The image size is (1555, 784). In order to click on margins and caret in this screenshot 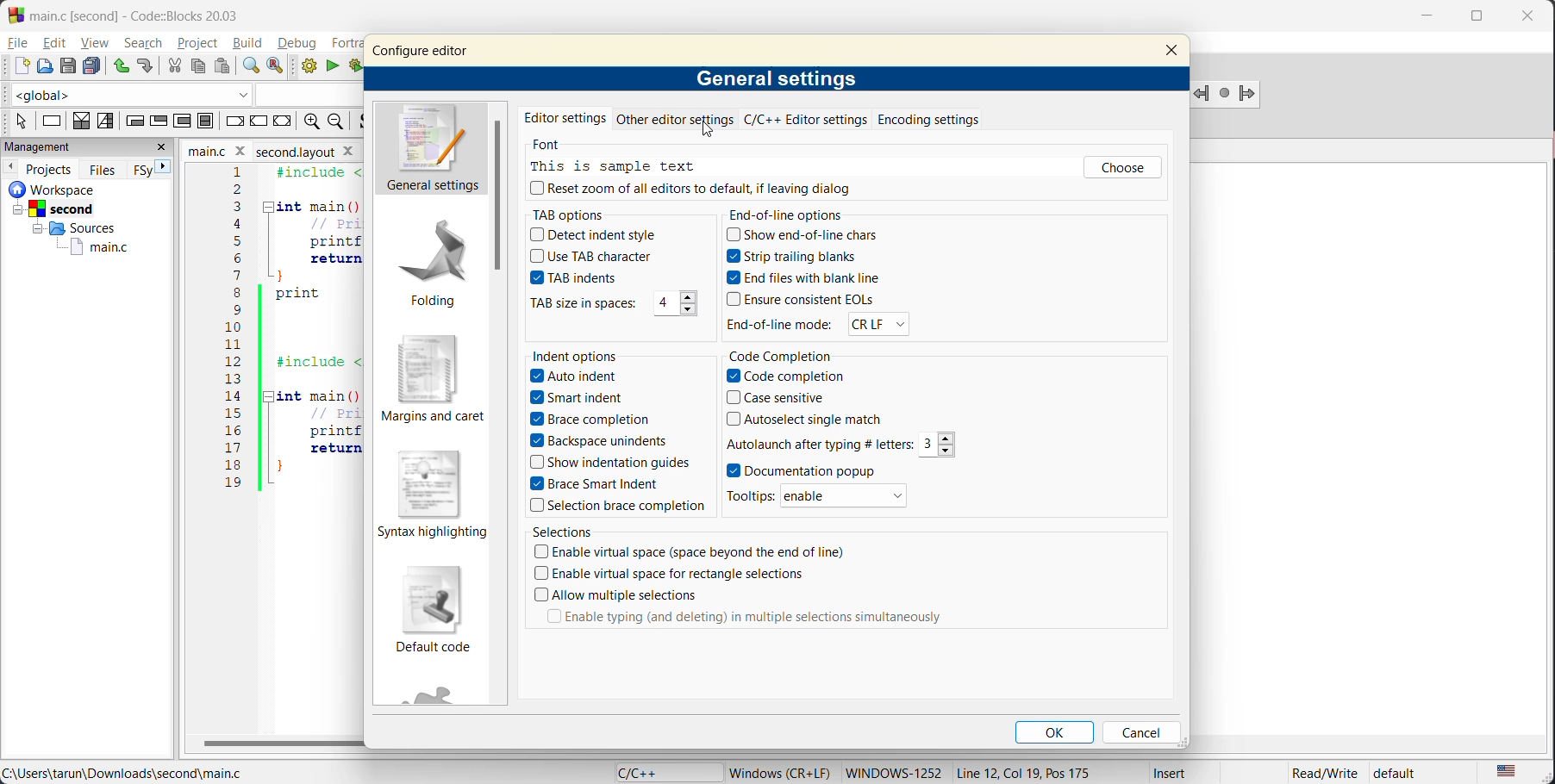, I will do `click(433, 377)`.